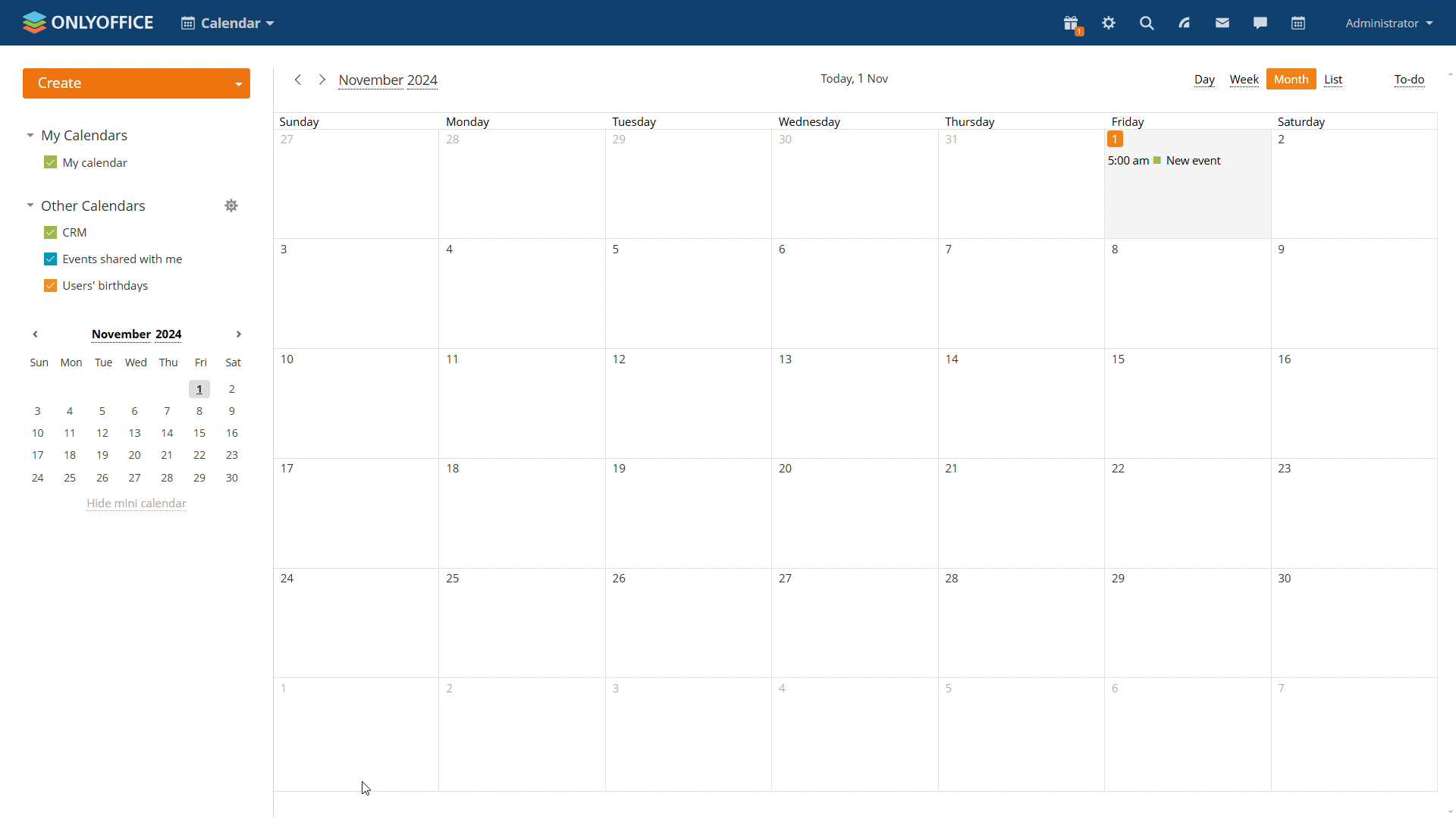  I want to click on week view, so click(1244, 80).